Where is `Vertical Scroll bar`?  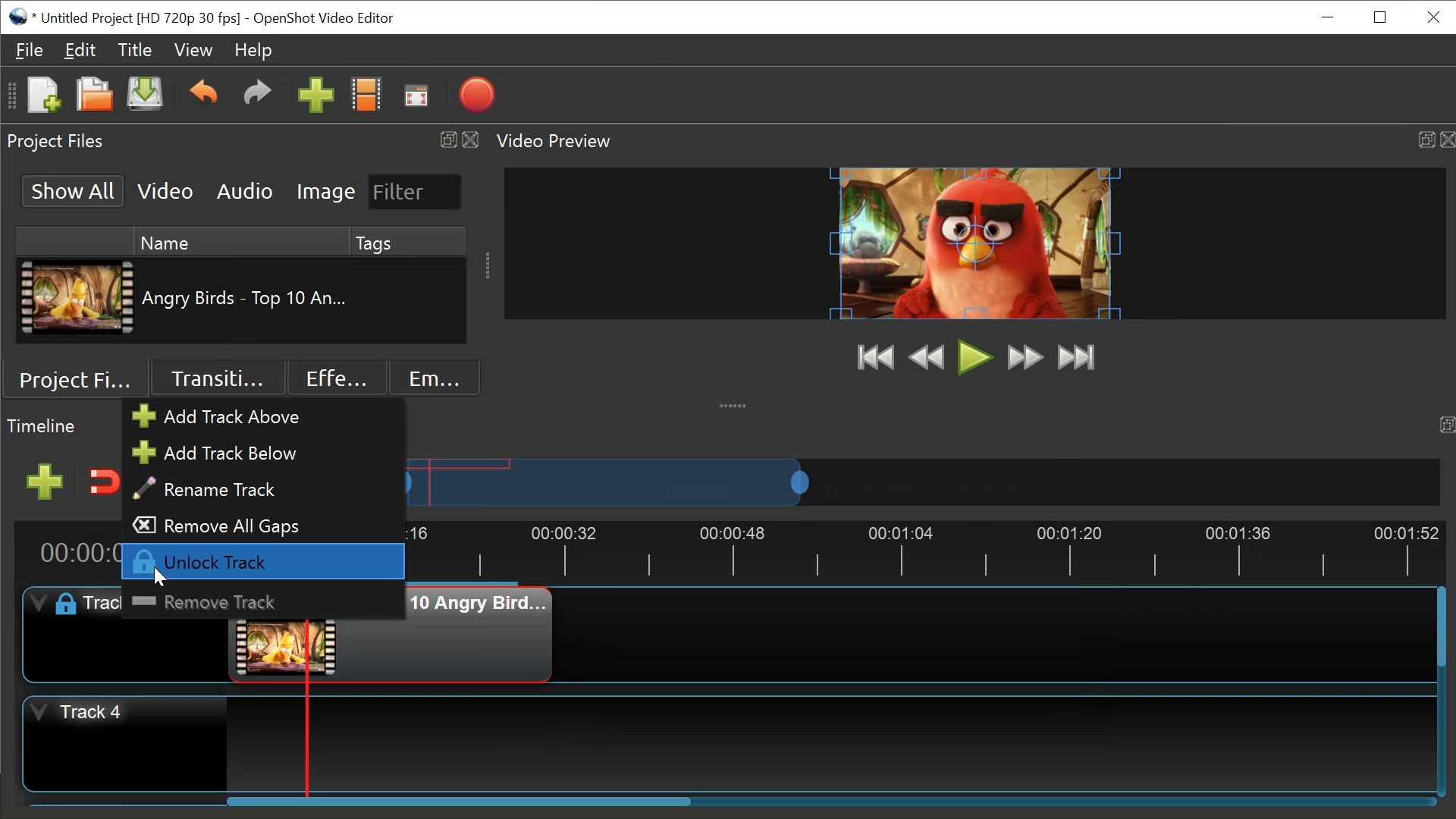 Vertical Scroll bar is located at coordinates (1439, 626).